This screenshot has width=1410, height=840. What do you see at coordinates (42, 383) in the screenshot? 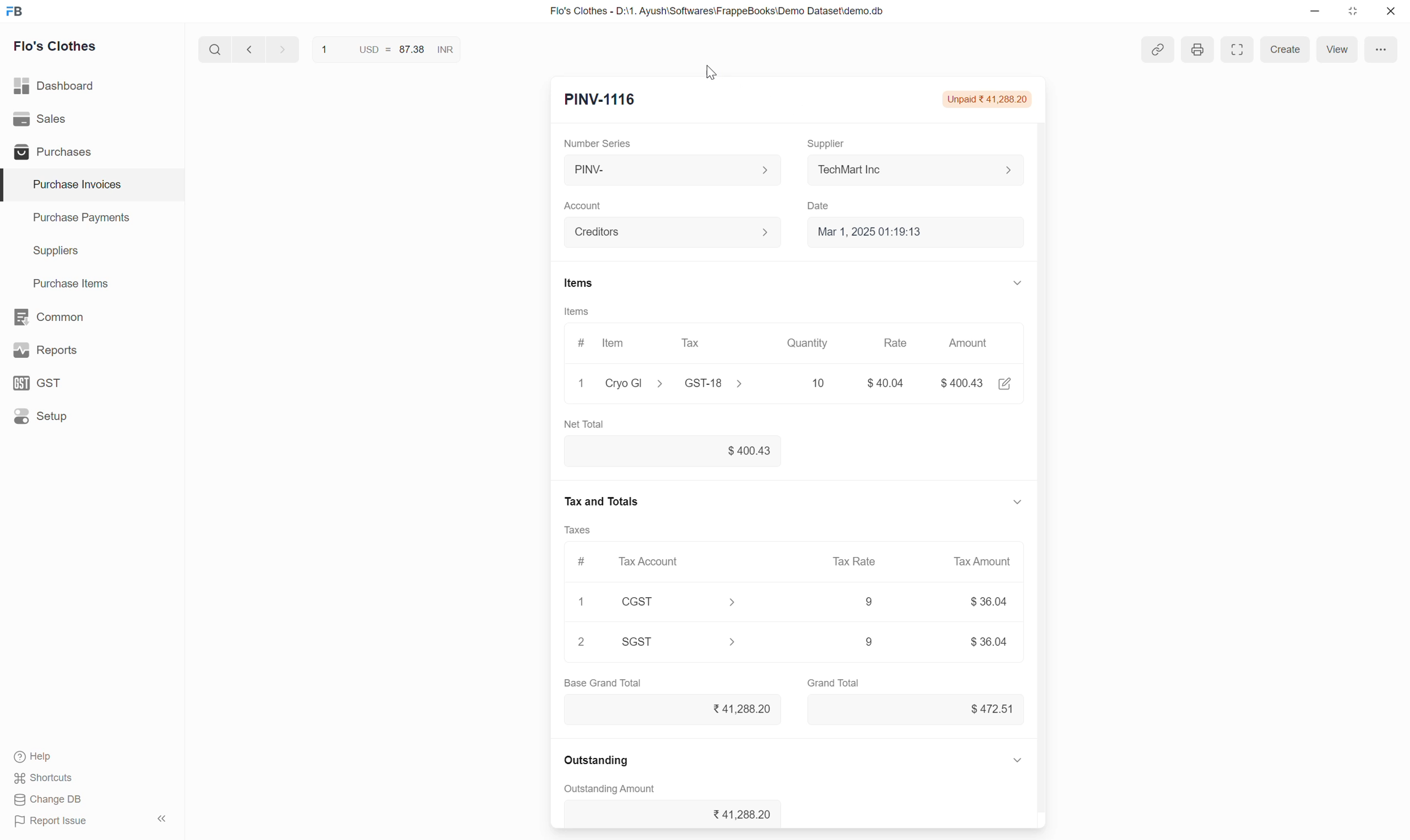
I see `GST` at bounding box center [42, 383].